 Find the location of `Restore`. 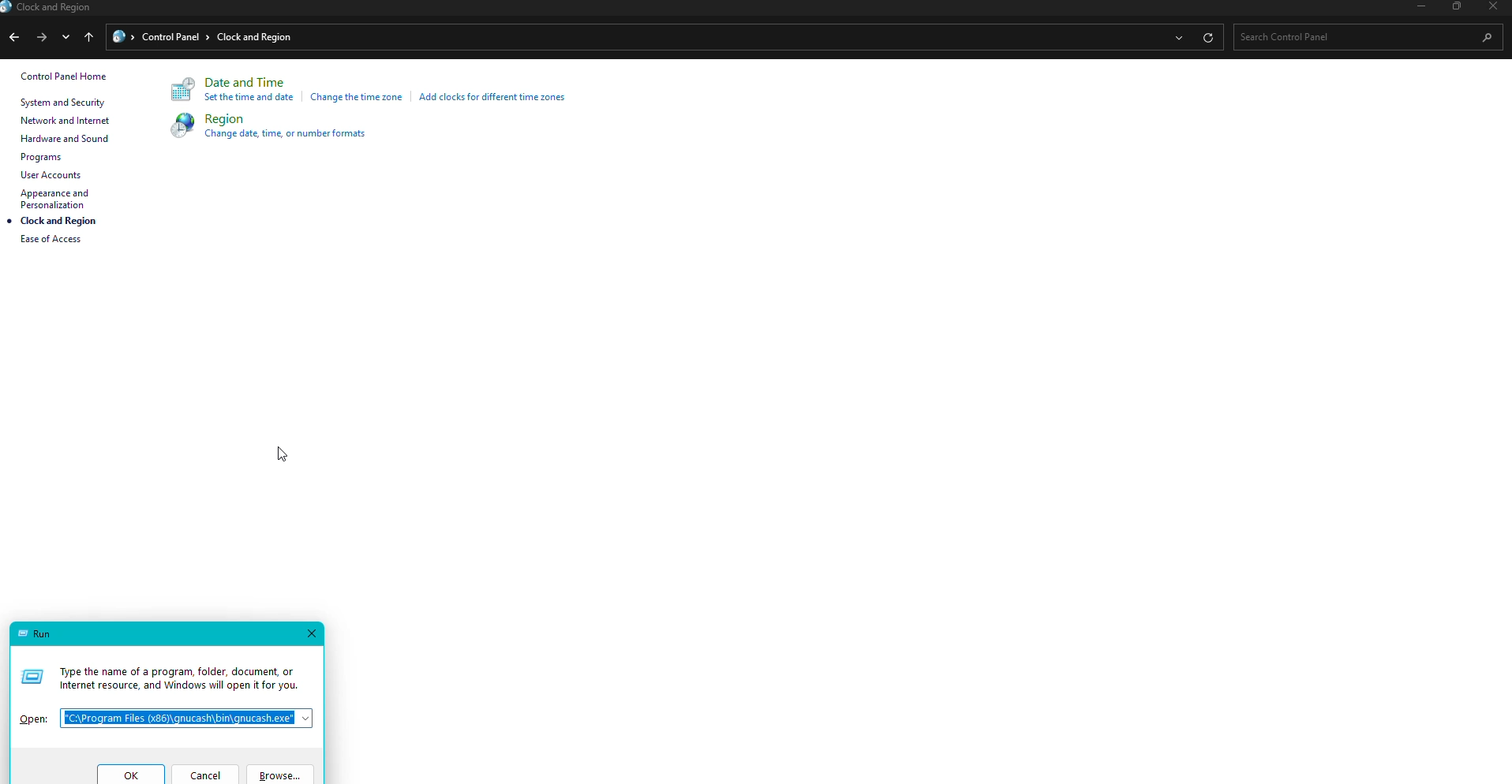

Restore is located at coordinates (1454, 7).